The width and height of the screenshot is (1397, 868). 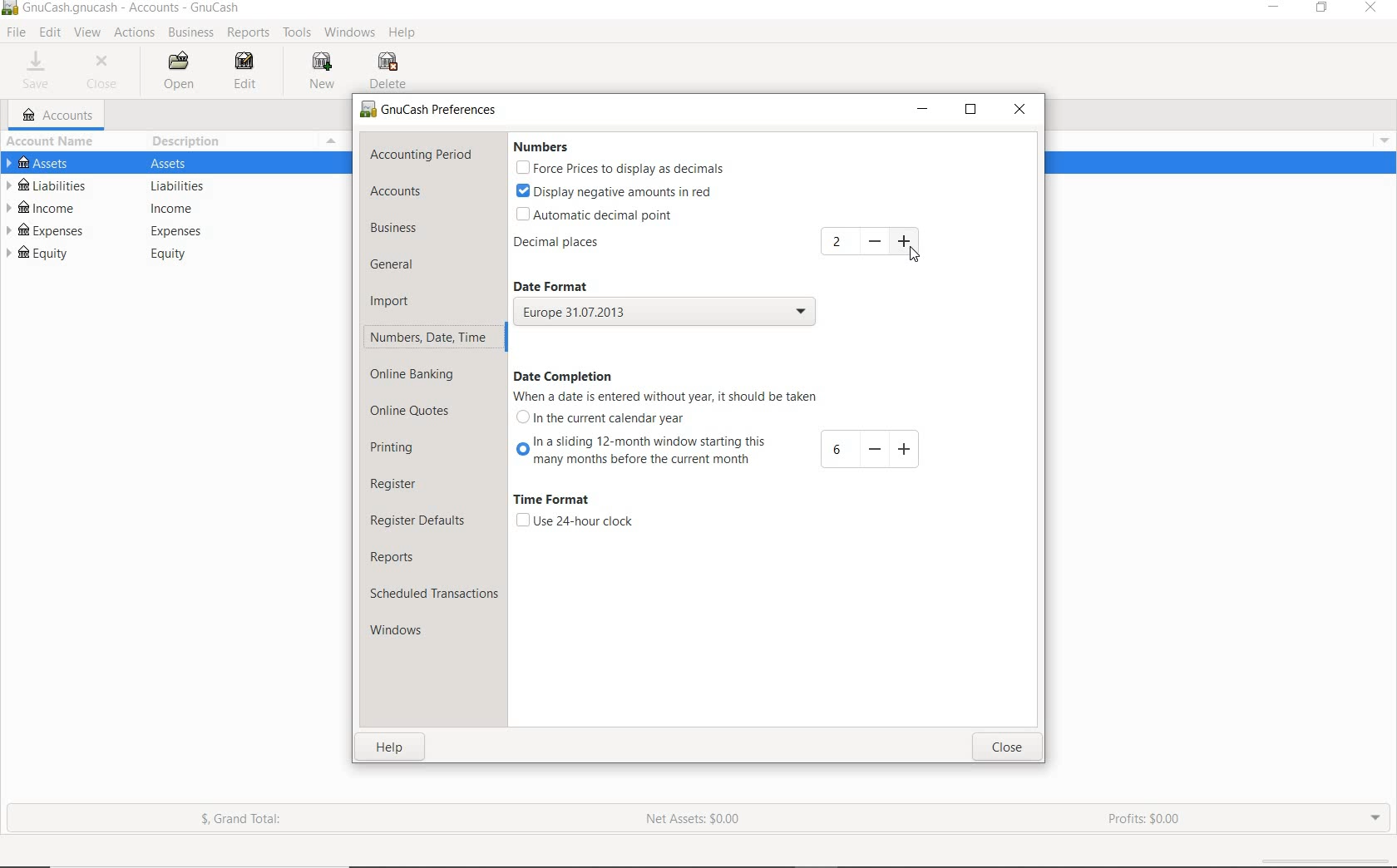 What do you see at coordinates (192, 33) in the screenshot?
I see `BUSINESS` at bounding box center [192, 33].